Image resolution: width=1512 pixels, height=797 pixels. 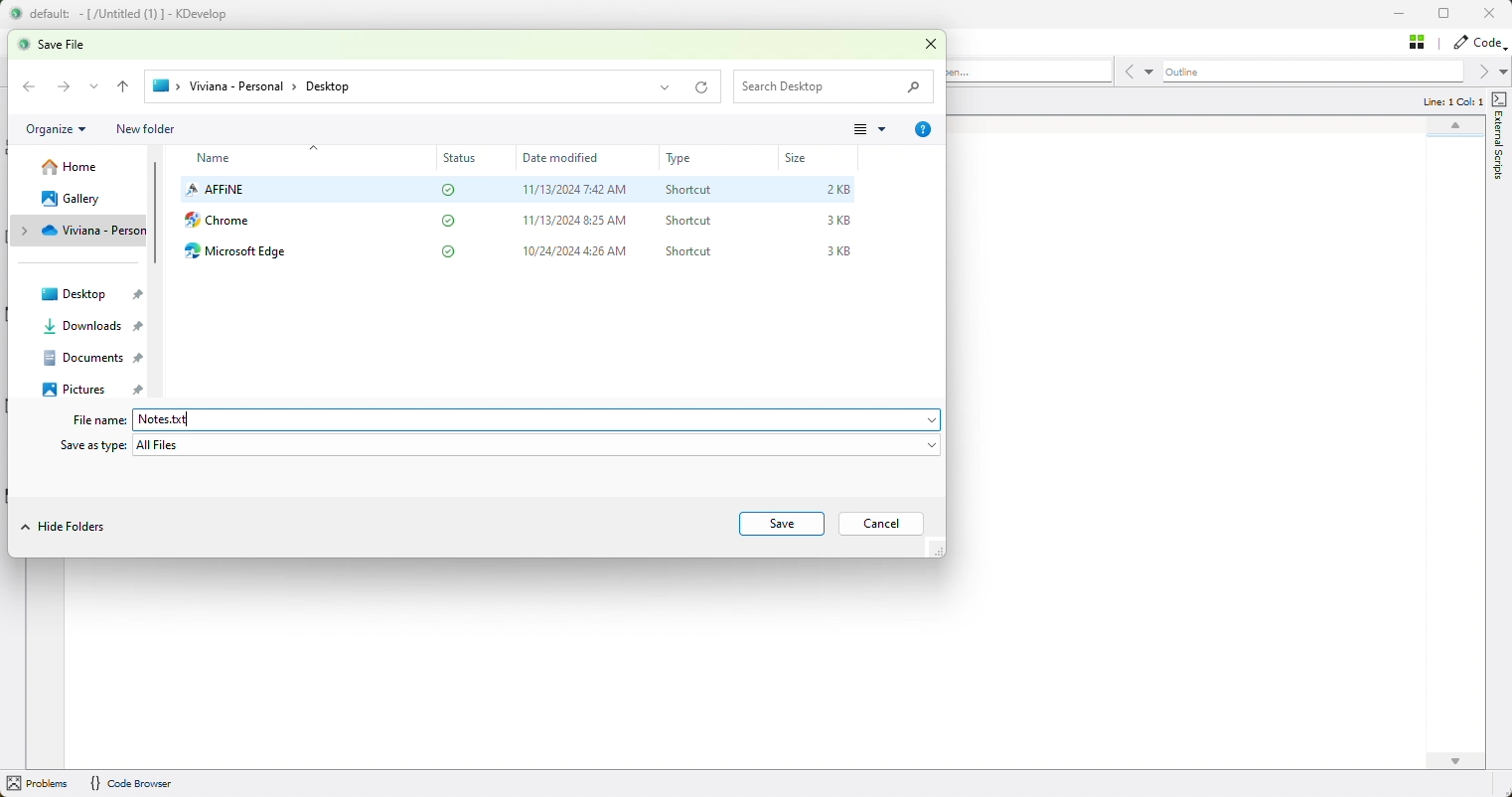 I want to click on home, so click(x=72, y=166).